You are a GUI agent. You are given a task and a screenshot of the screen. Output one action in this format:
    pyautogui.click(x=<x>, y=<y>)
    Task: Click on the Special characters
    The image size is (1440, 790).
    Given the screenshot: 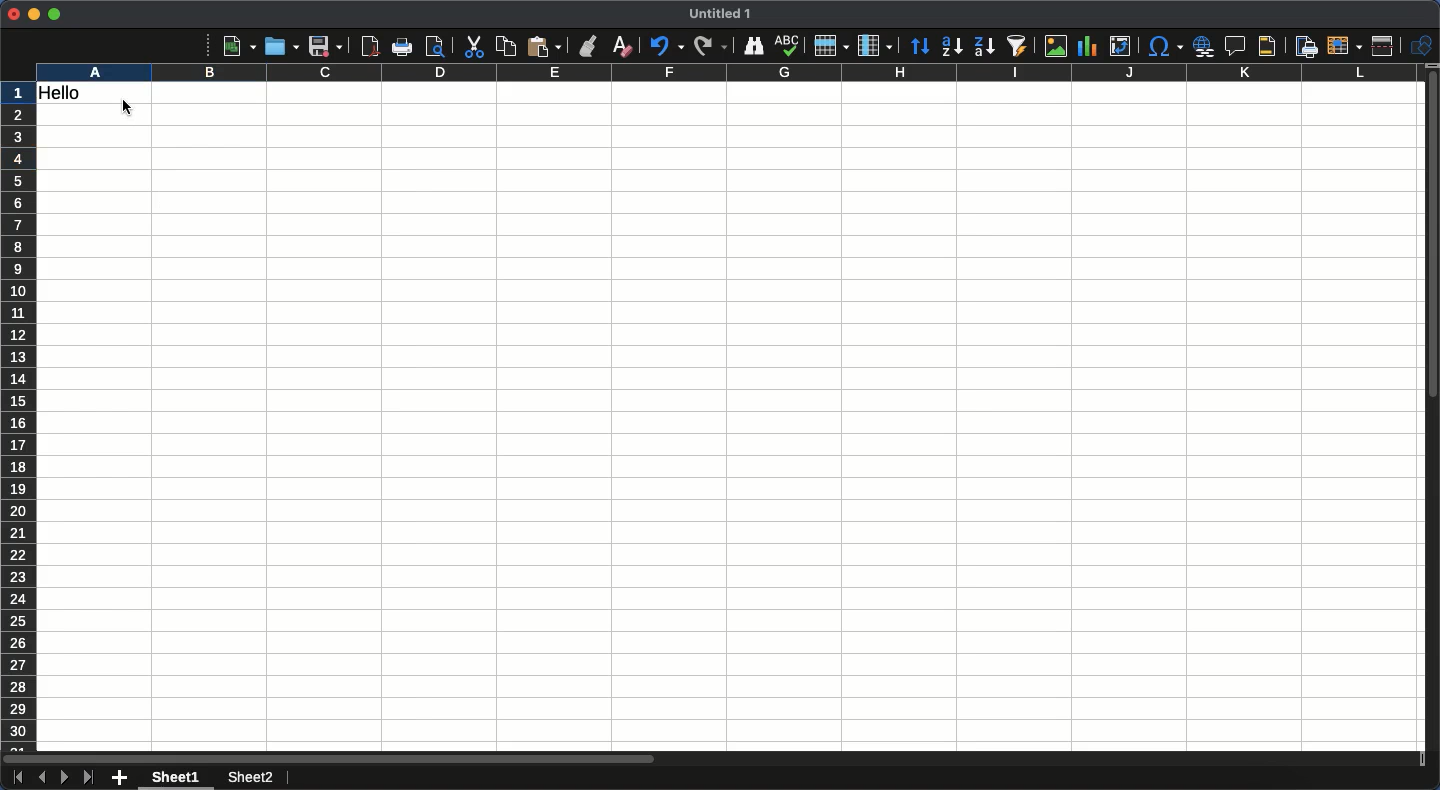 What is the action you would take?
    pyautogui.click(x=1164, y=46)
    